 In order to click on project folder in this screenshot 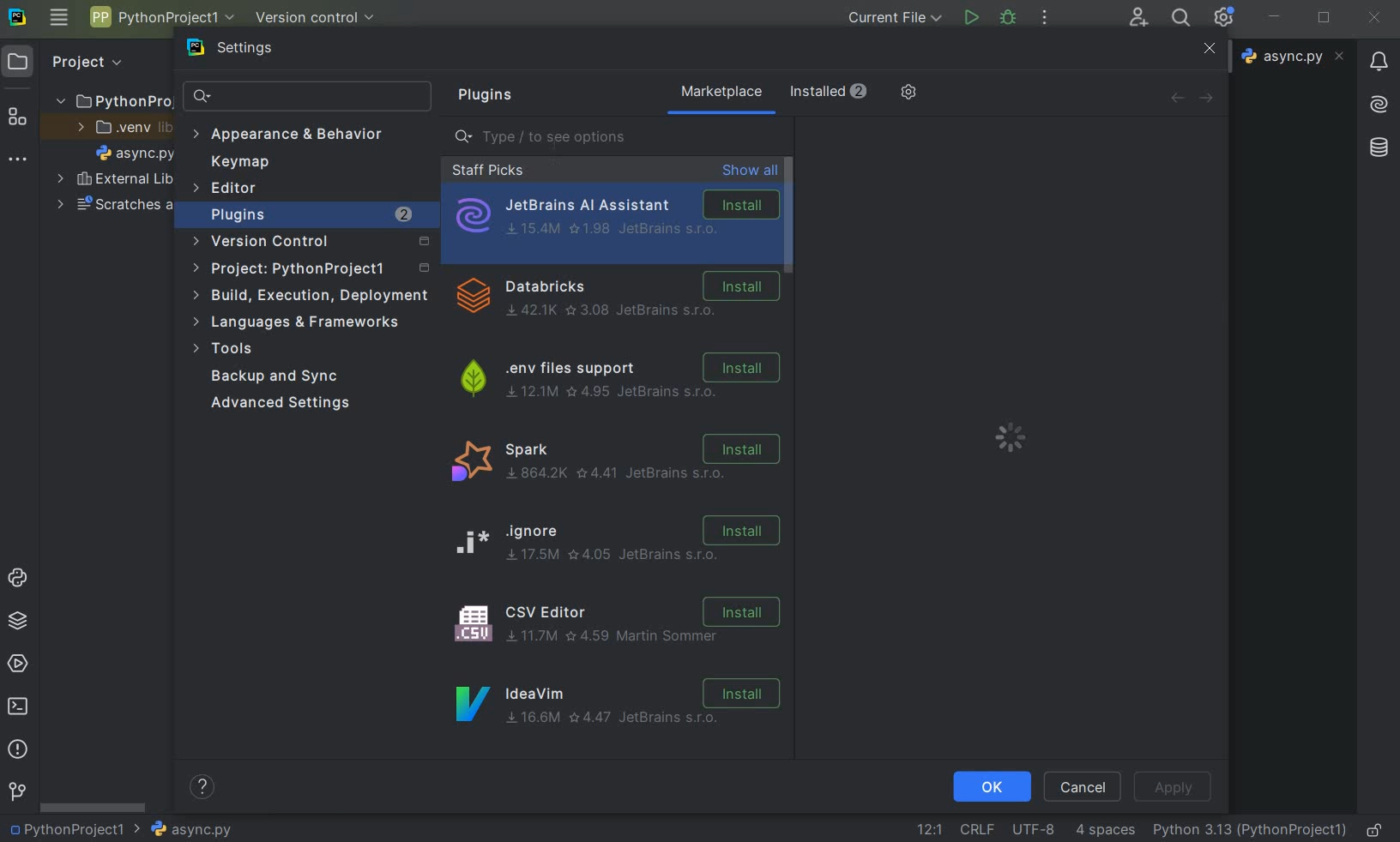, I will do `click(107, 100)`.